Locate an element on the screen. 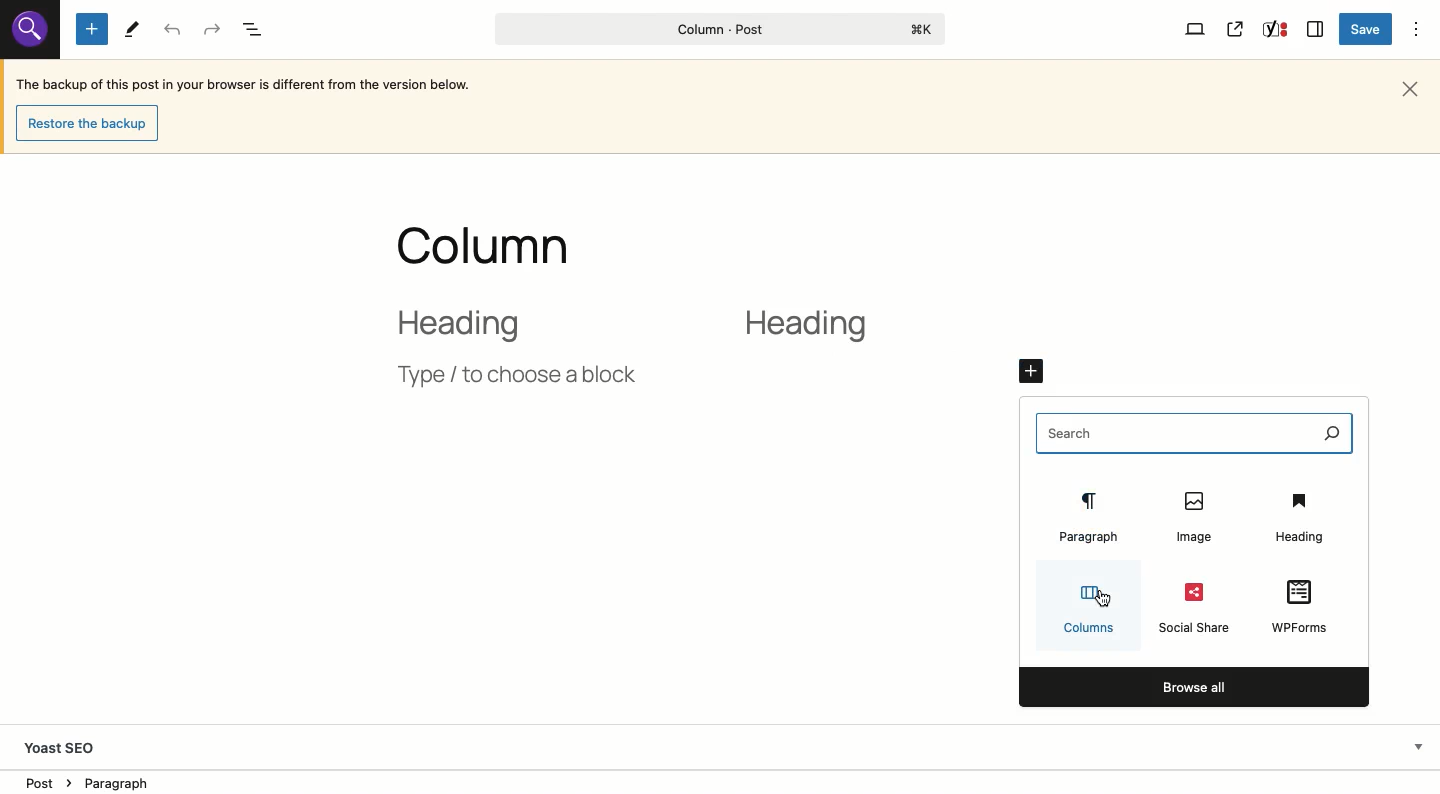 The height and width of the screenshot is (794, 1440). Image is located at coordinates (1191, 517).